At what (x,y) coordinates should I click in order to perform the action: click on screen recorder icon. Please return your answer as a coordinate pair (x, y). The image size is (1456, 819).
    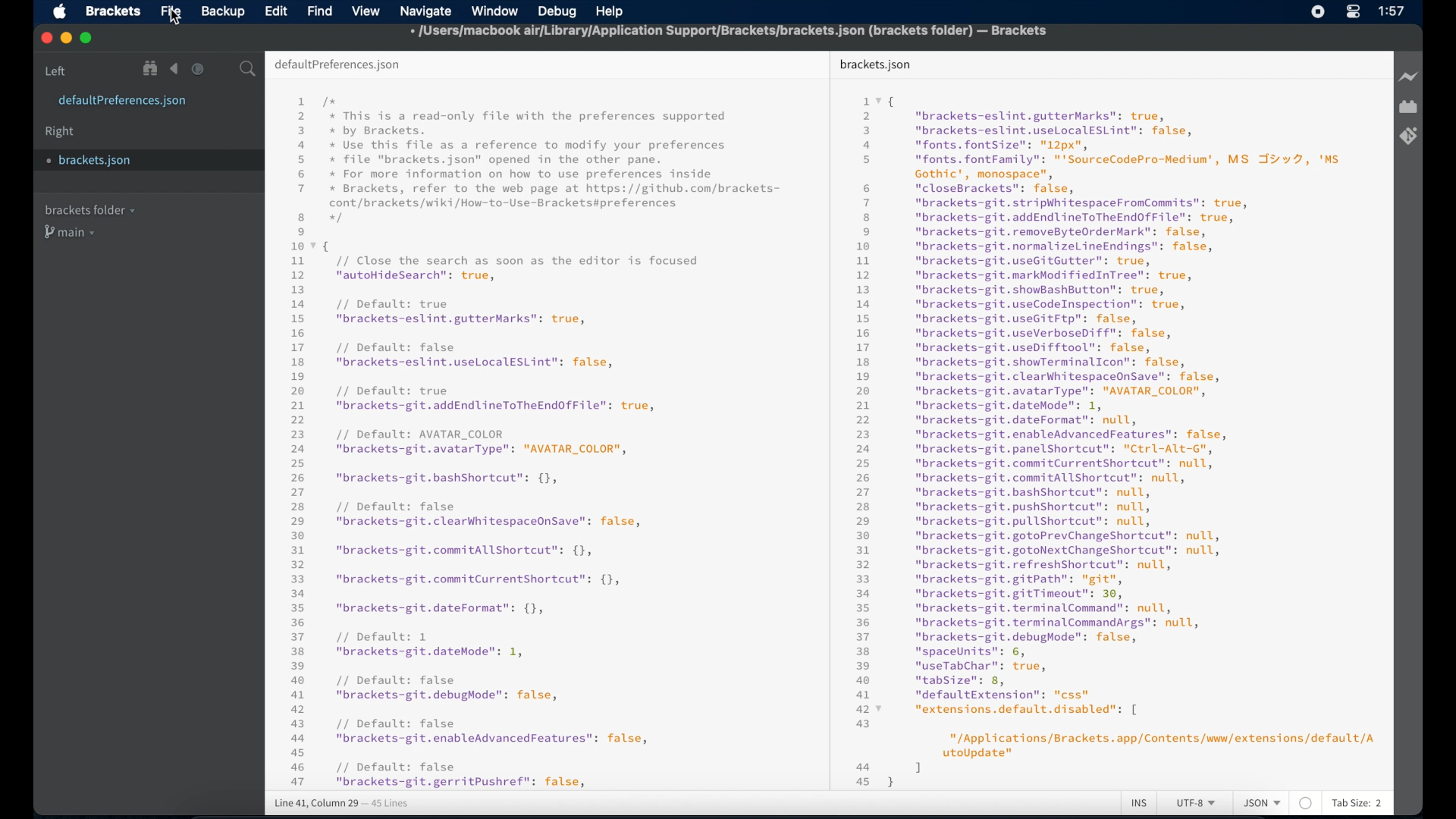
    Looking at the image, I should click on (1319, 11).